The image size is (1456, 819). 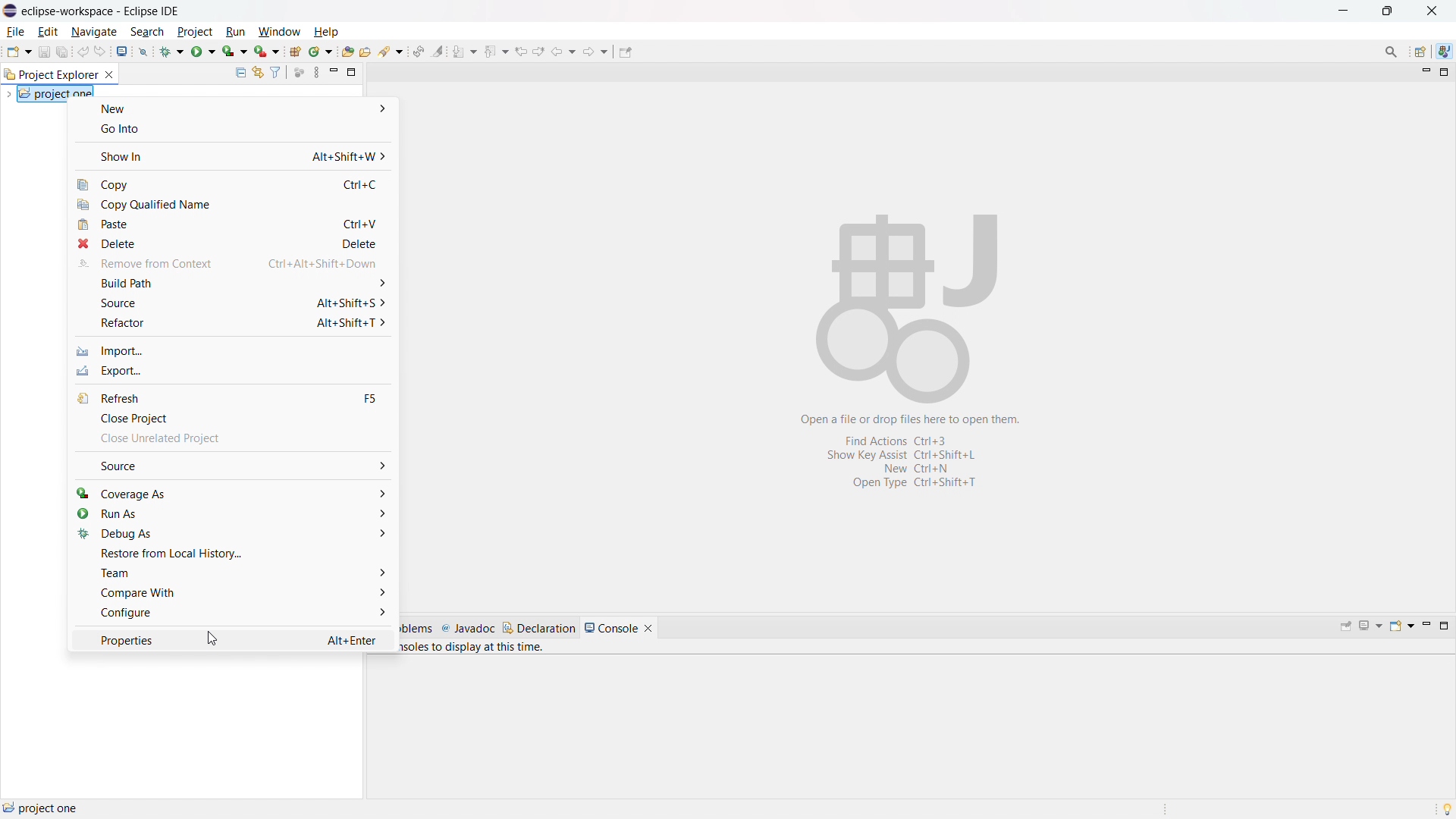 What do you see at coordinates (232, 419) in the screenshot?
I see `close project` at bounding box center [232, 419].